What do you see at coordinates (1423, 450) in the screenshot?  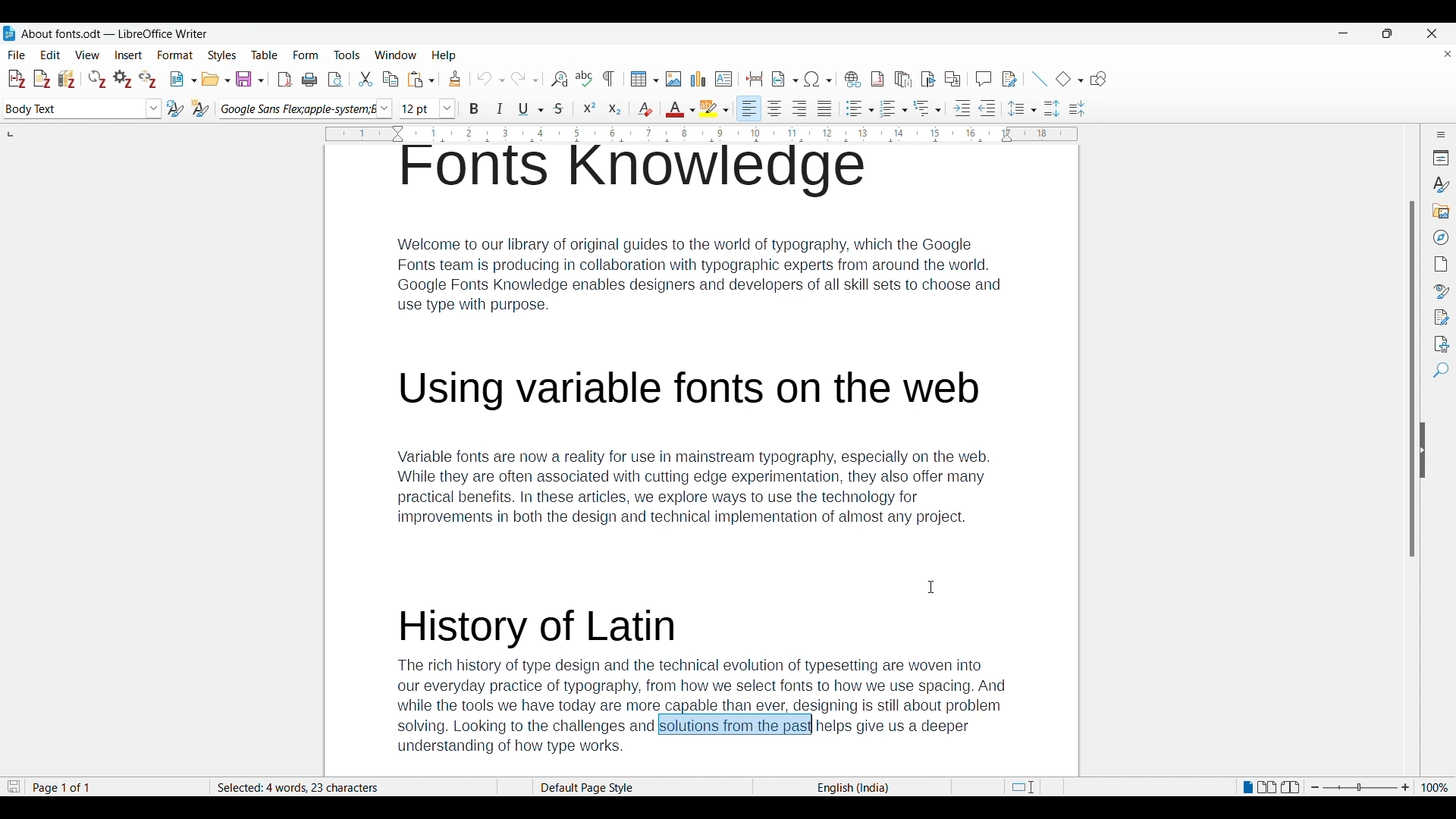 I see `Hide right sidebar` at bounding box center [1423, 450].